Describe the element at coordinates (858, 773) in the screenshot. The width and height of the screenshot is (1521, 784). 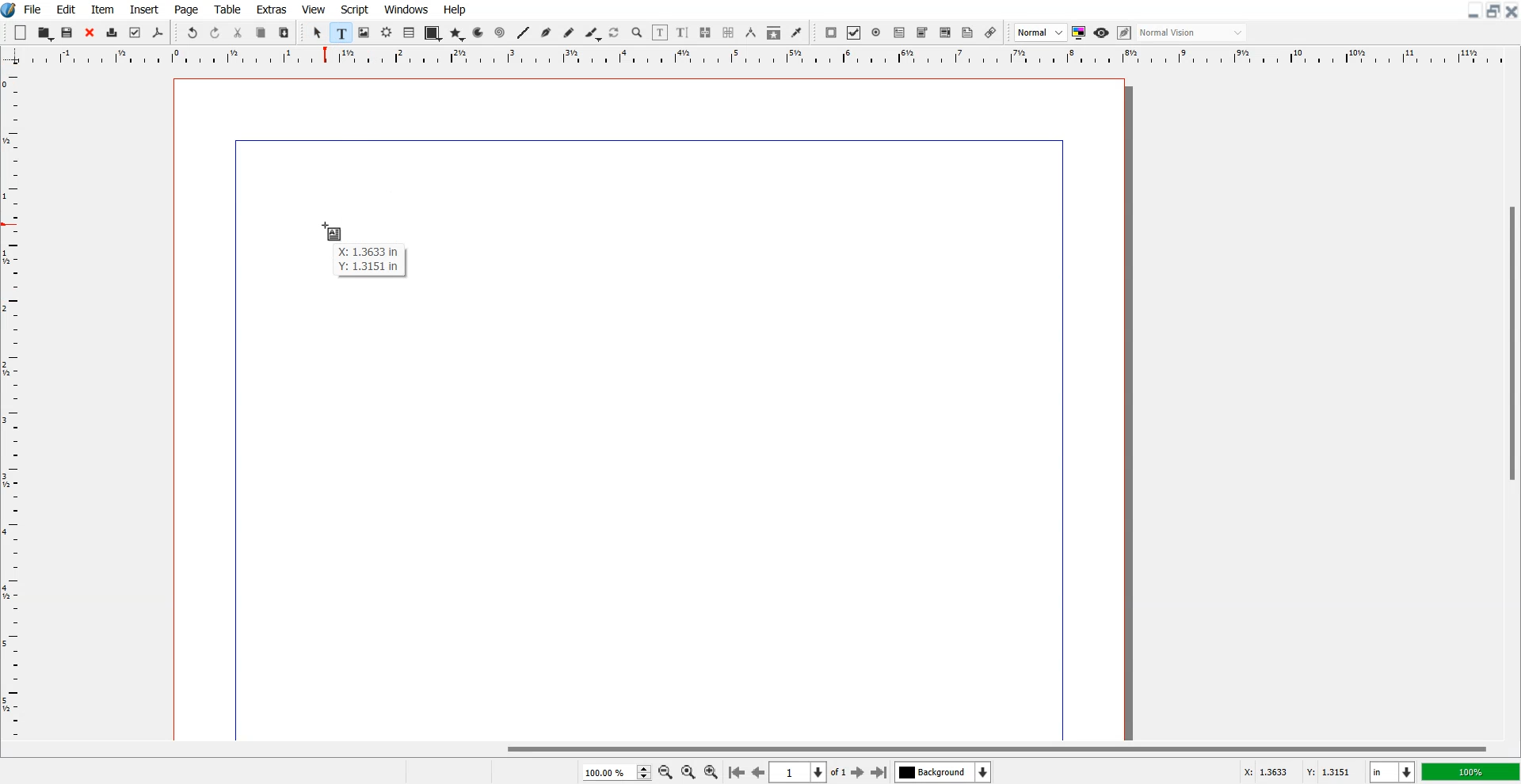
I see `Go to next Page` at that location.